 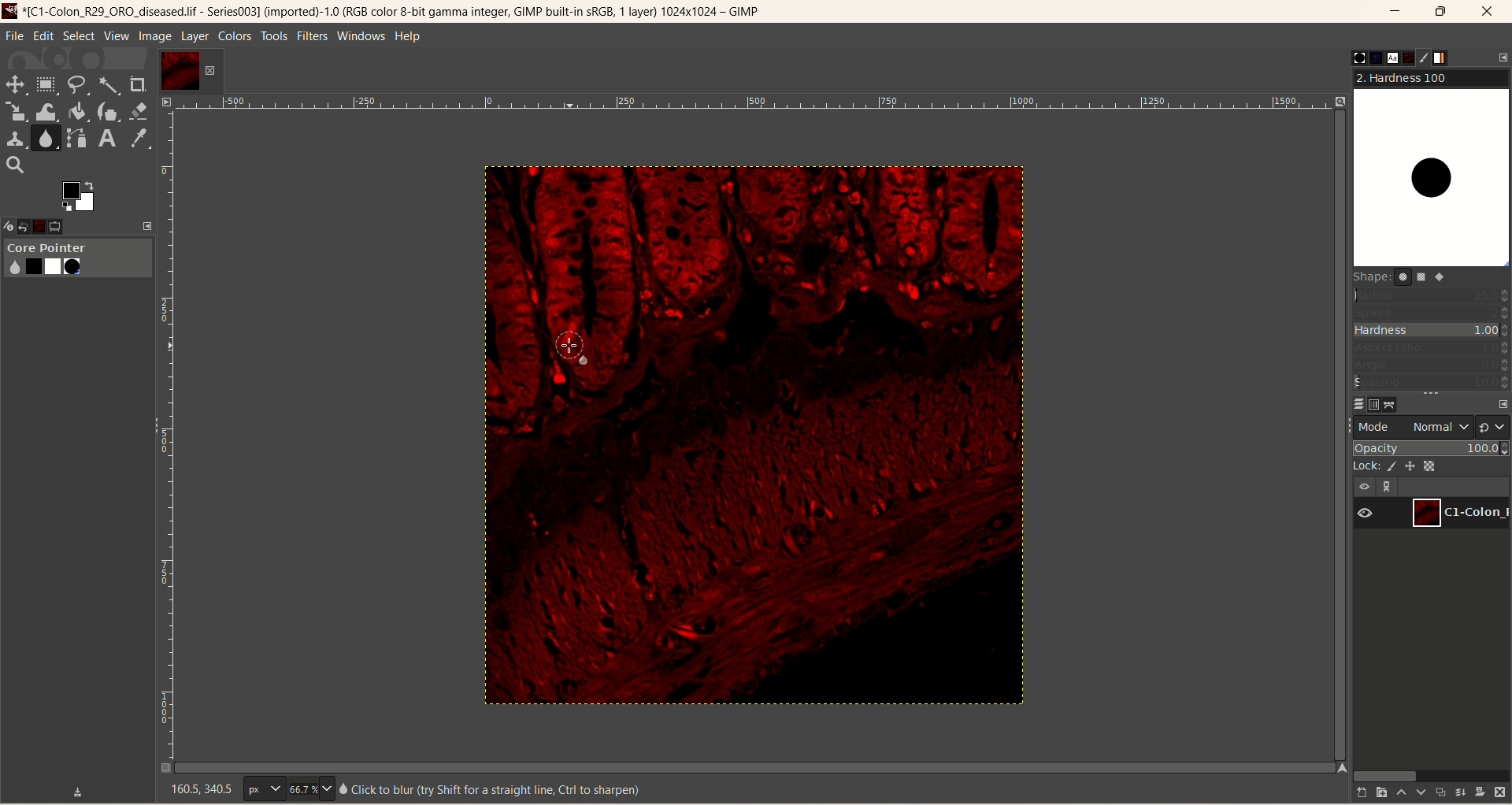 I want to click on crop tool, so click(x=139, y=84).